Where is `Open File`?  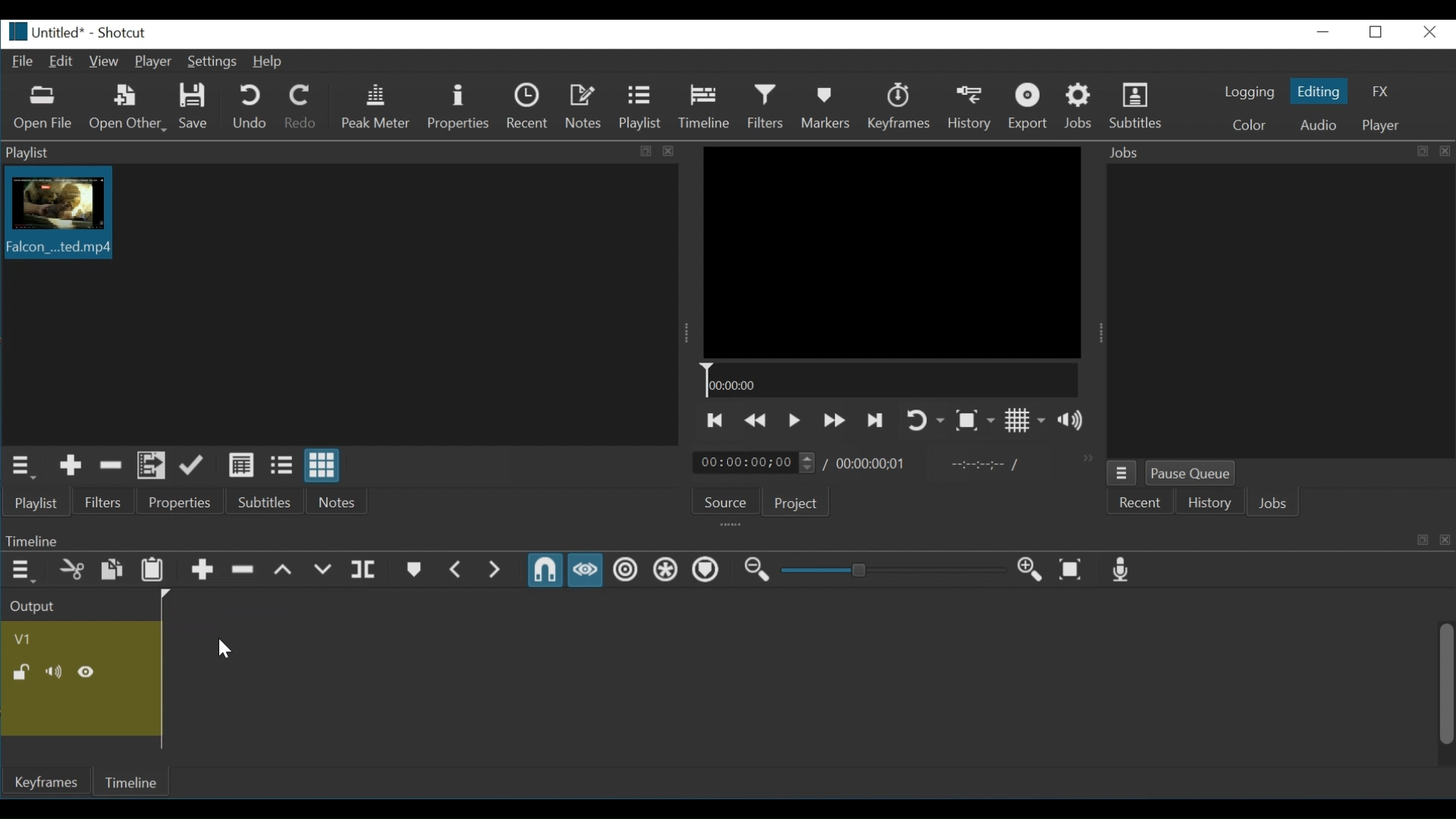 Open File is located at coordinates (43, 110).